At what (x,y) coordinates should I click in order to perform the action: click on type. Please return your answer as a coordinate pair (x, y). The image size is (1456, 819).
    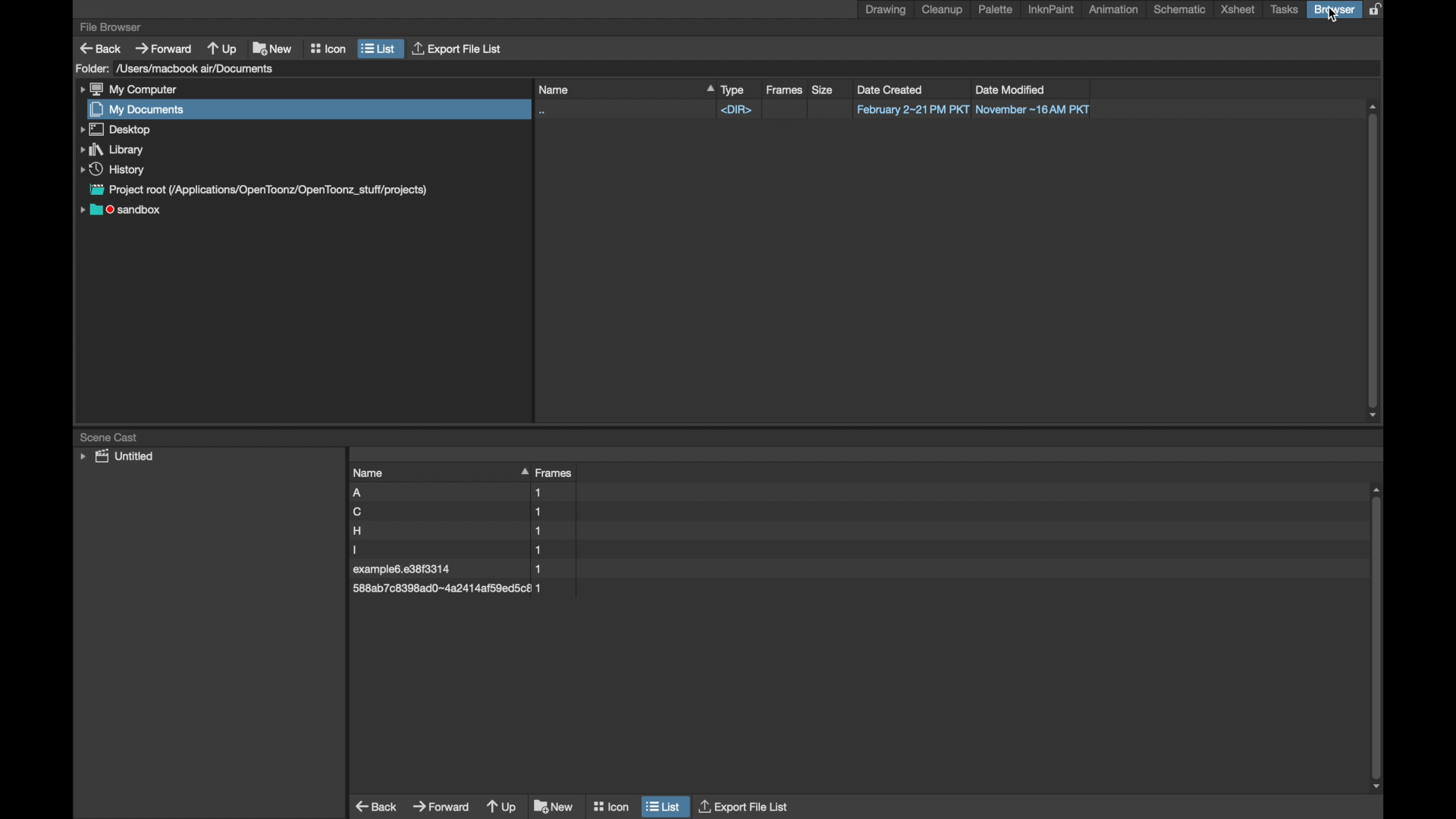
    Looking at the image, I should click on (734, 89).